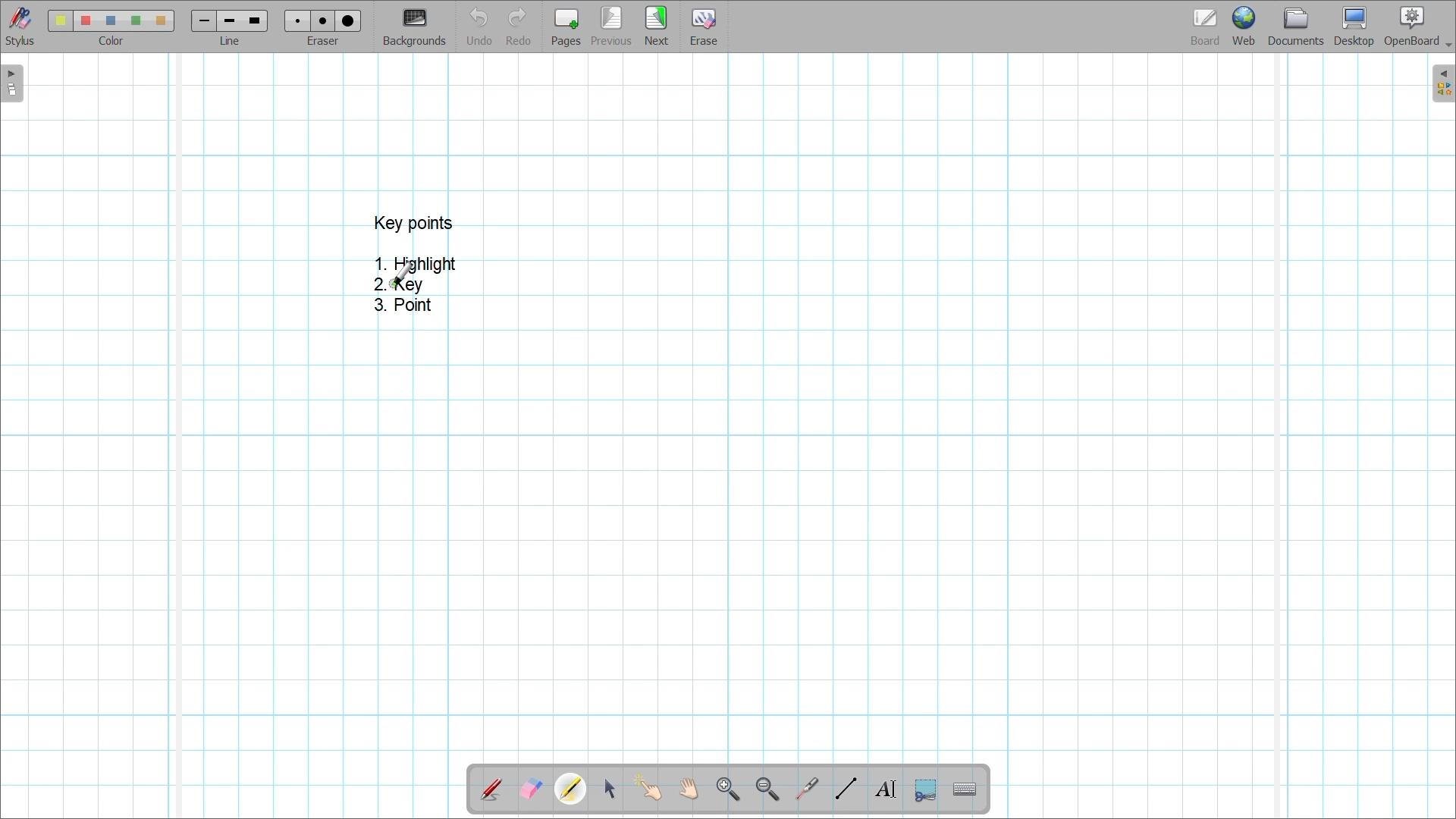 Image resolution: width=1456 pixels, height=819 pixels. What do you see at coordinates (688, 789) in the screenshot?
I see `Scroll page` at bounding box center [688, 789].